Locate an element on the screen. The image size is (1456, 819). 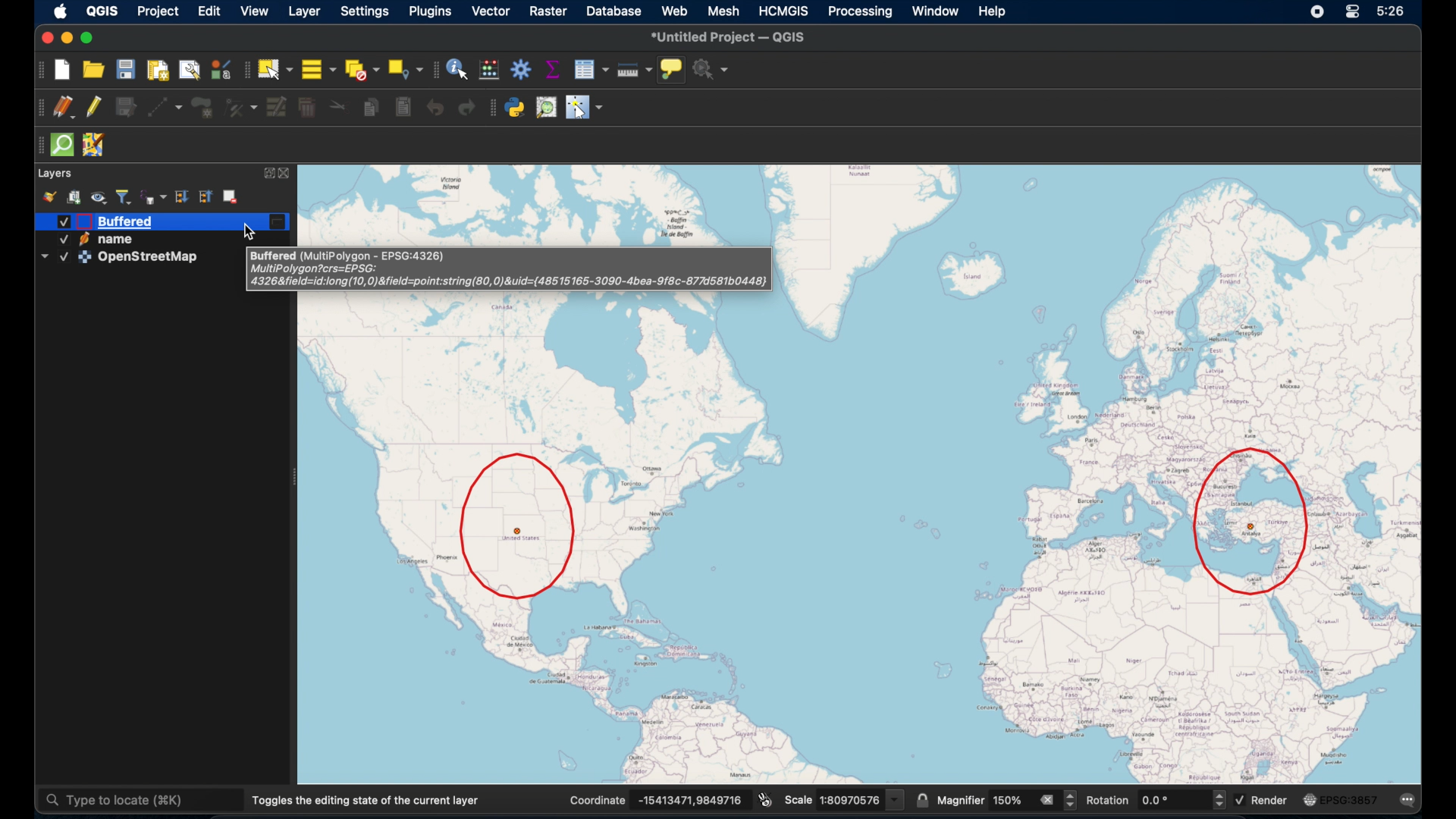
close is located at coordinates (289, 173).